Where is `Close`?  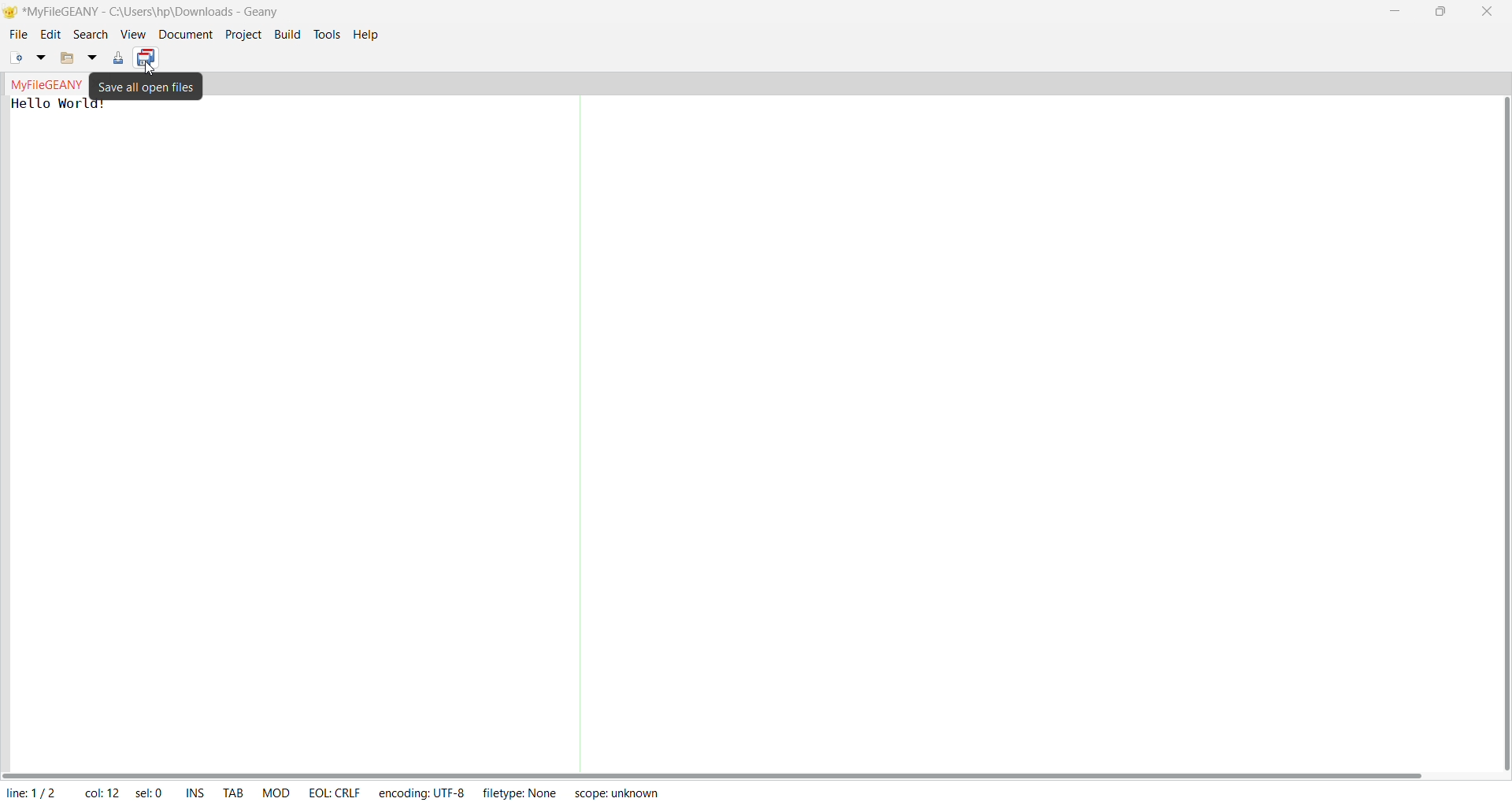
Close is located at coordinates (1488, 10).